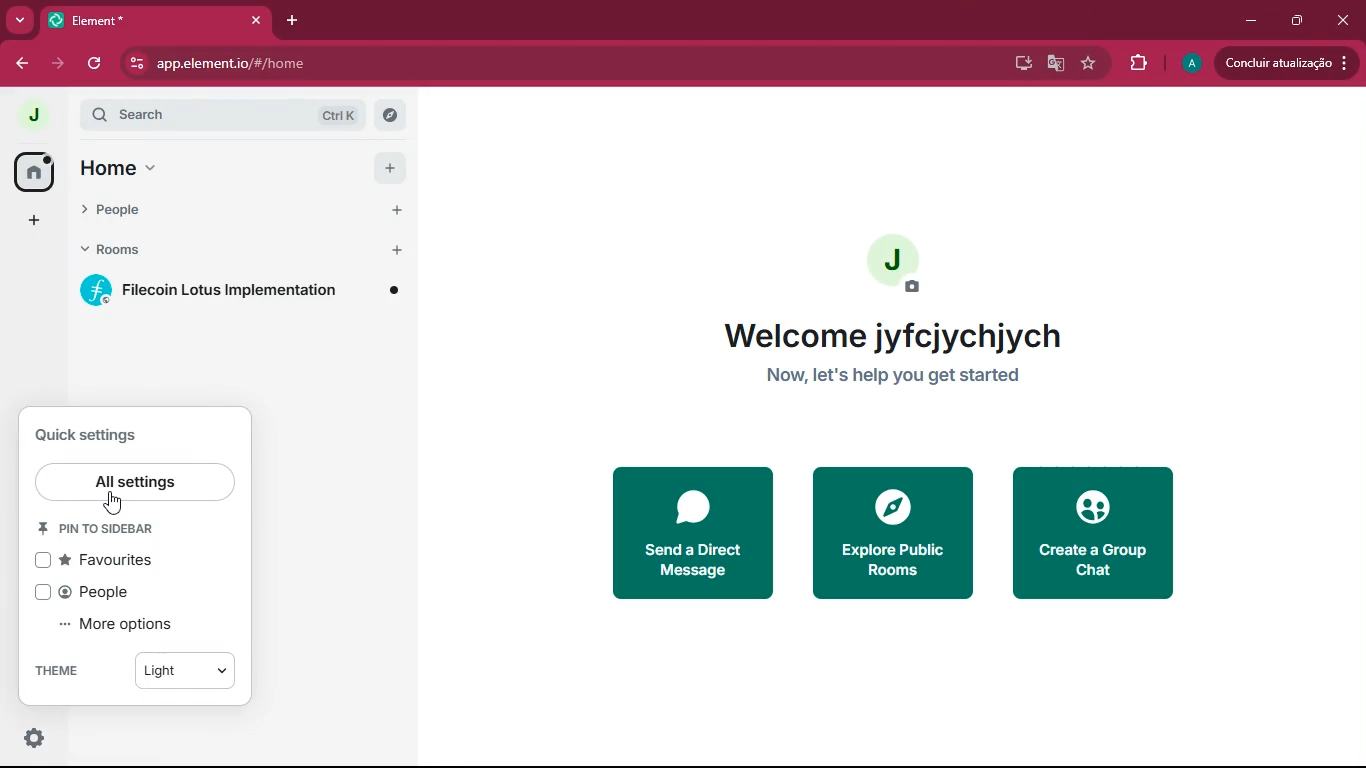 This screenshot has height=768, width=1366. Describe the element at coordinates (74, 670) in the screenshot. I see `Theme` at that location.